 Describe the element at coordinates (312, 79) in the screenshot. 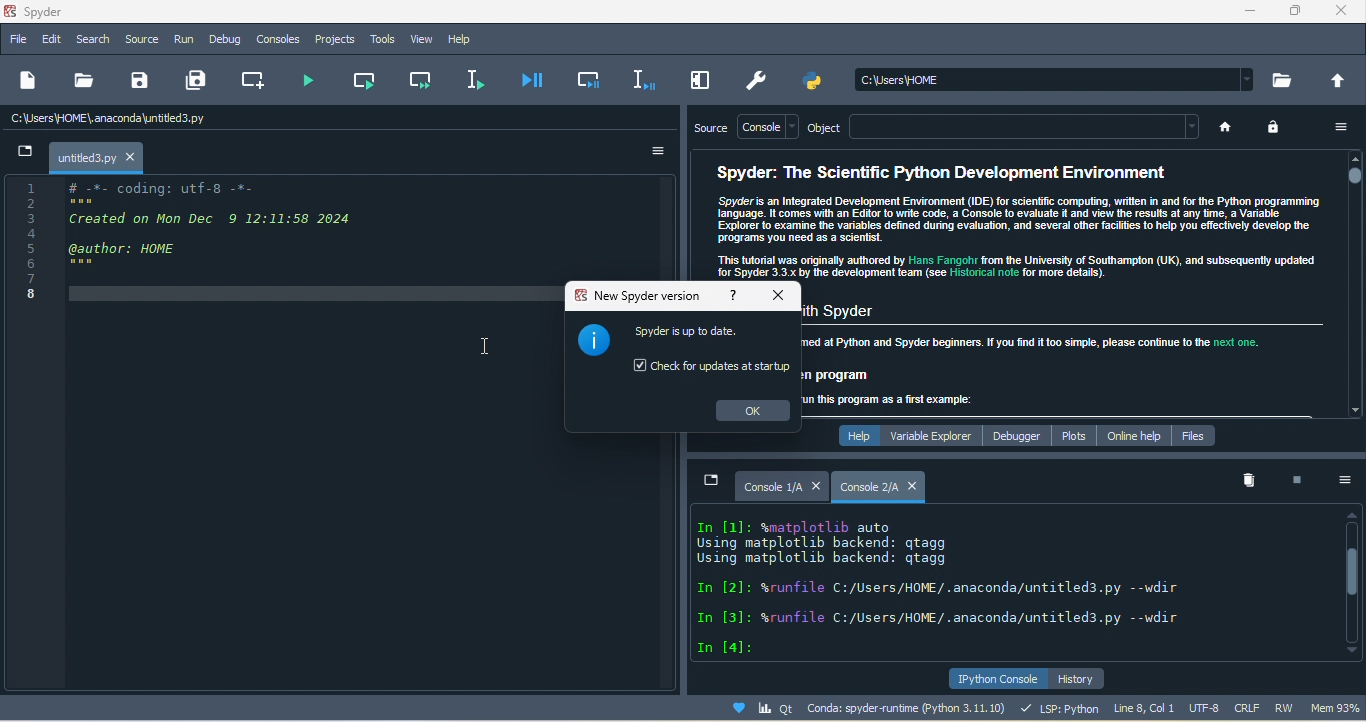

I see `run file` at that location.